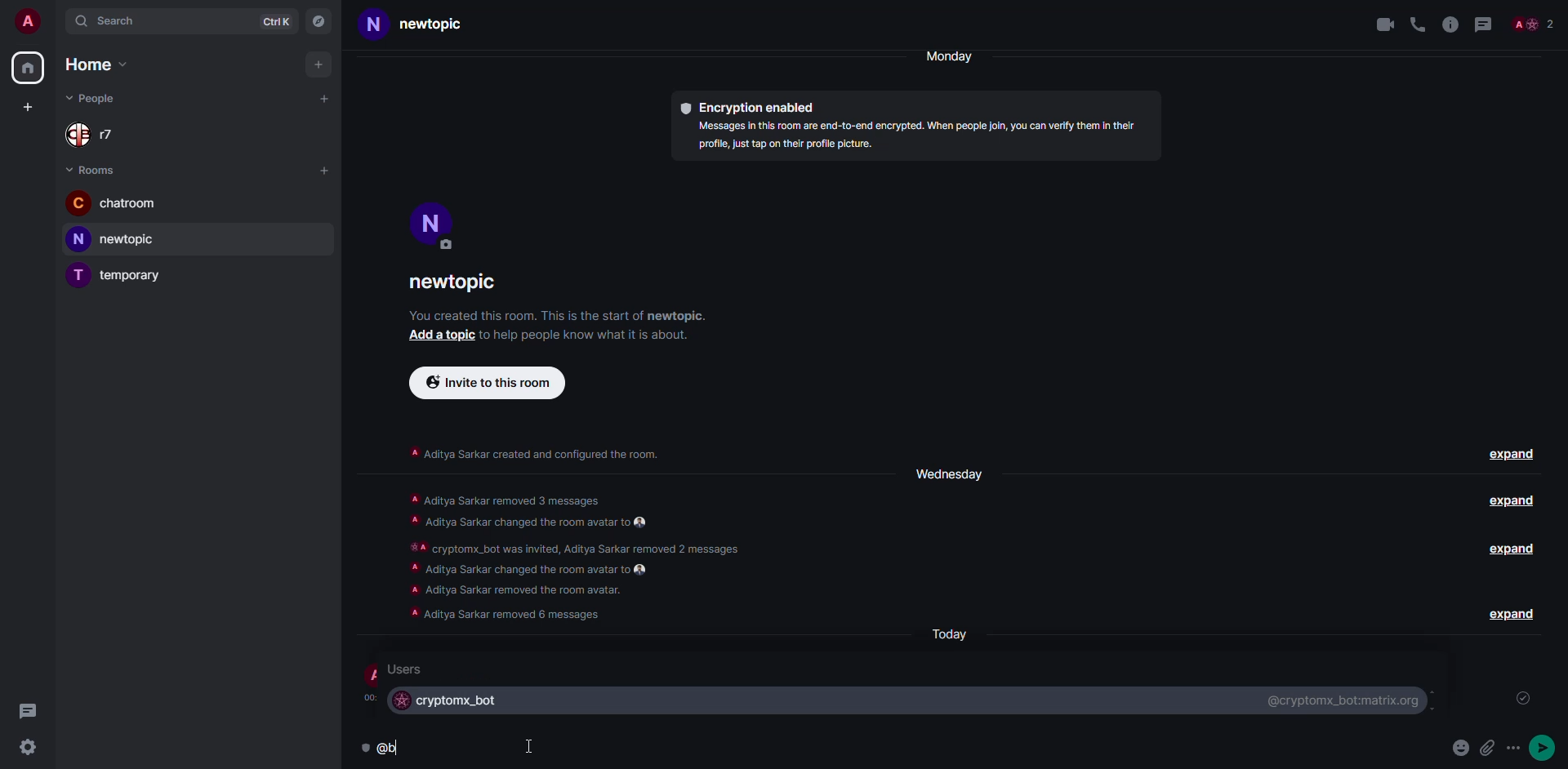  What do you see at coordinates (118, 239) in the screenshot?
I see `room` at bounding box center [118, 239].